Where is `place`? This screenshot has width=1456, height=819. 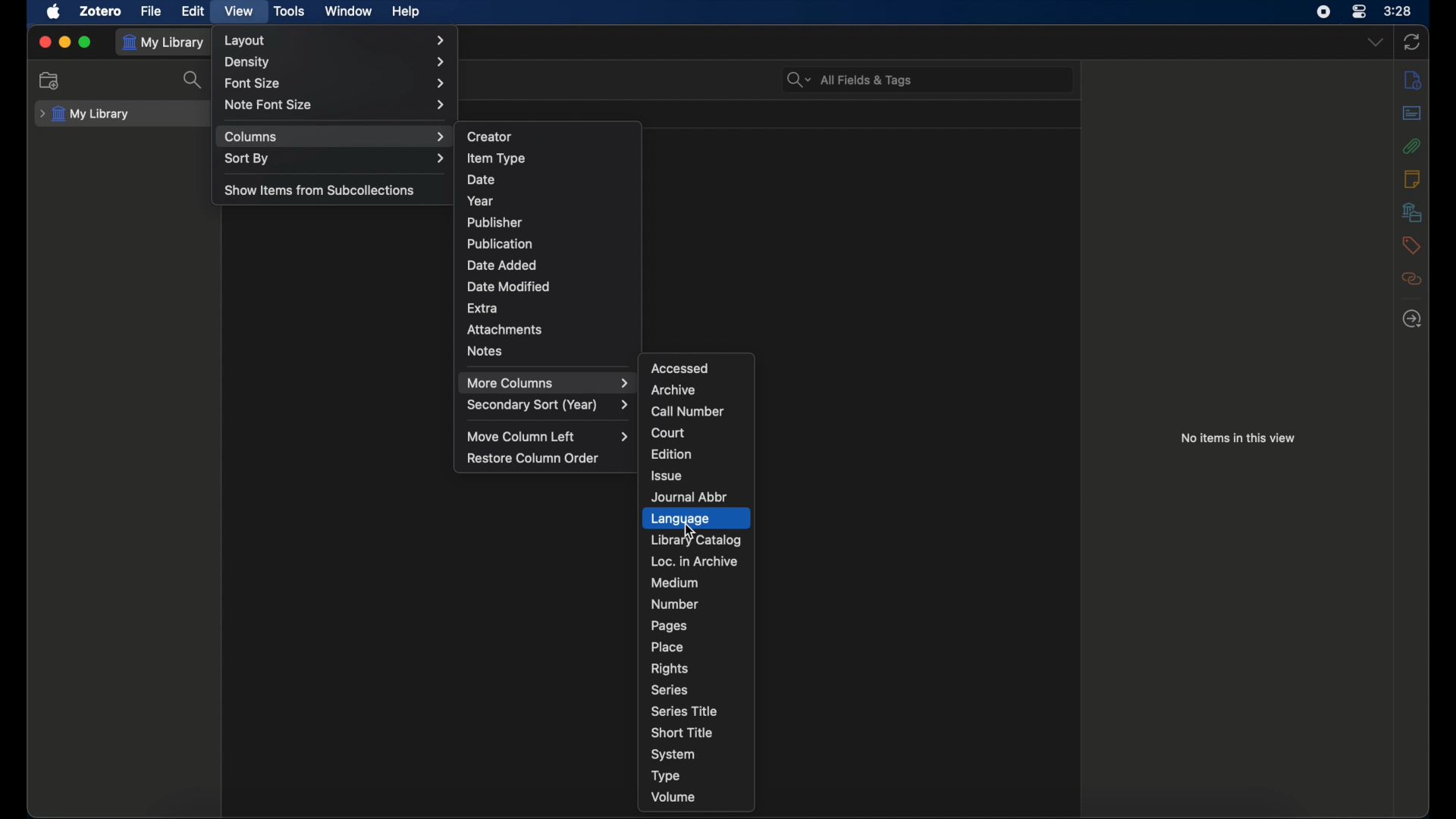
place is located at coordinates (667, 647).